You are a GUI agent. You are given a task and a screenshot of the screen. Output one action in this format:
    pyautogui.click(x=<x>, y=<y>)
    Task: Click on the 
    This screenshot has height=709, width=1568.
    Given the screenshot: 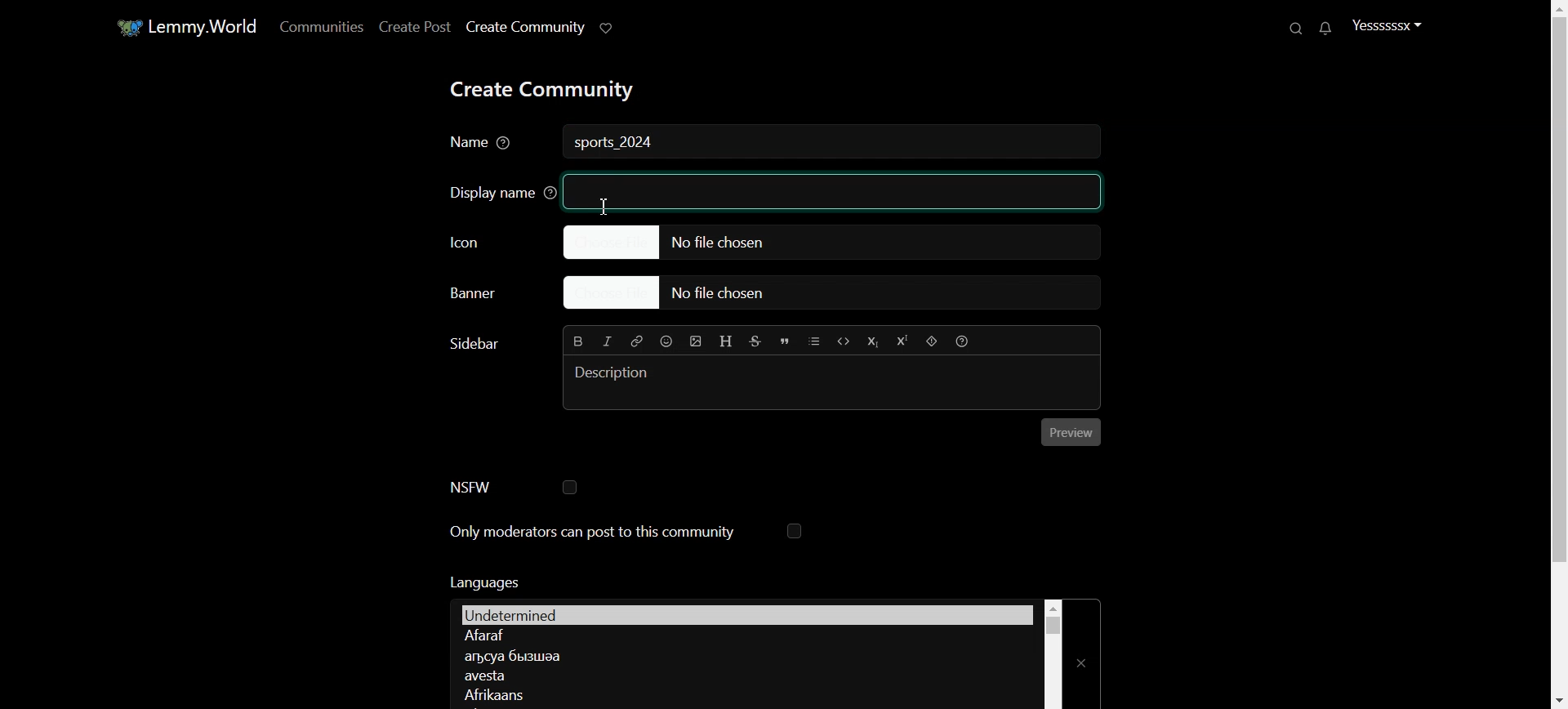 What is the action you would take?
    pyautogui.click(x=544, y=91)
    